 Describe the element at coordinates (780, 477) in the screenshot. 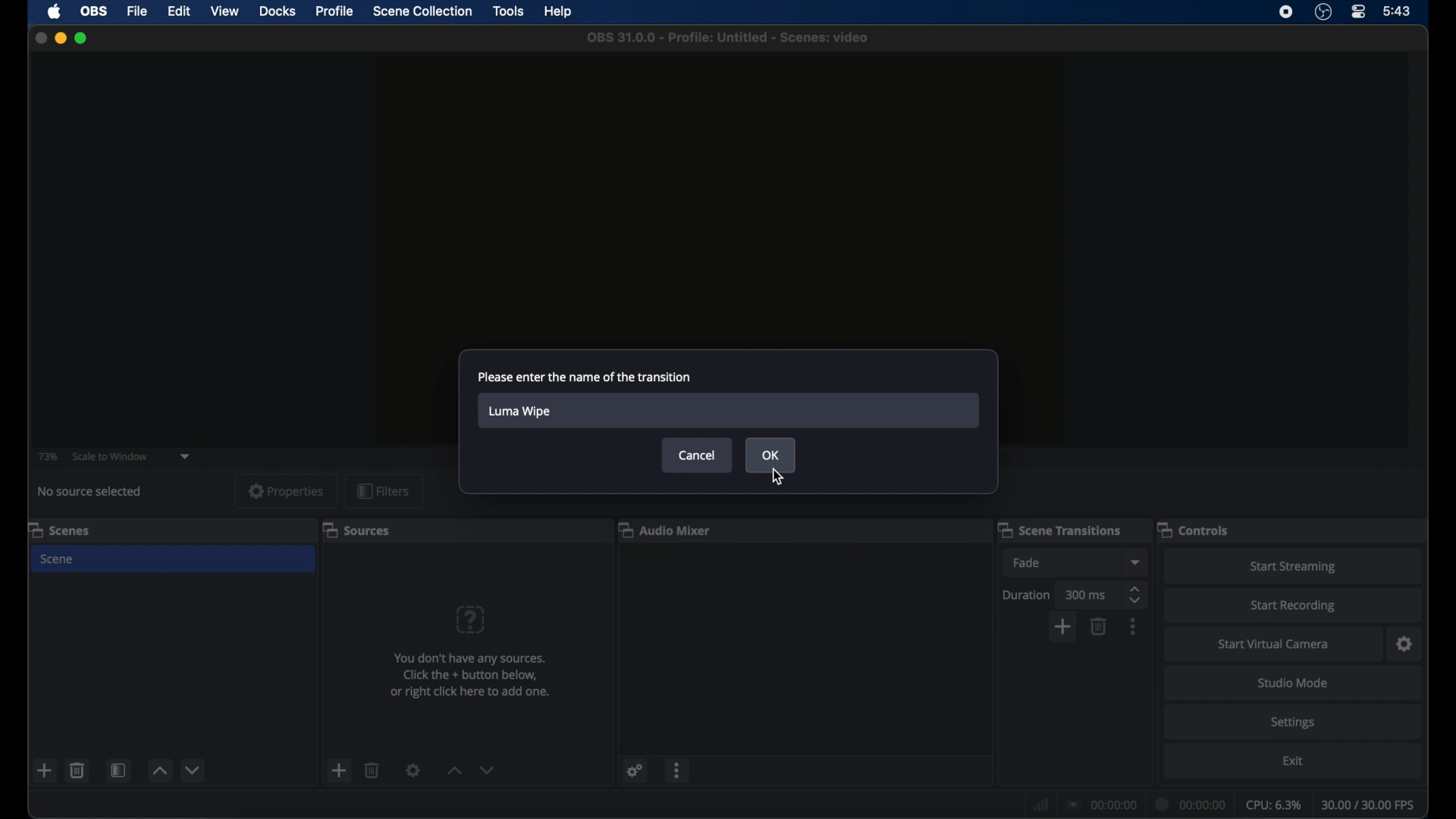

I see `cursor` at that location.